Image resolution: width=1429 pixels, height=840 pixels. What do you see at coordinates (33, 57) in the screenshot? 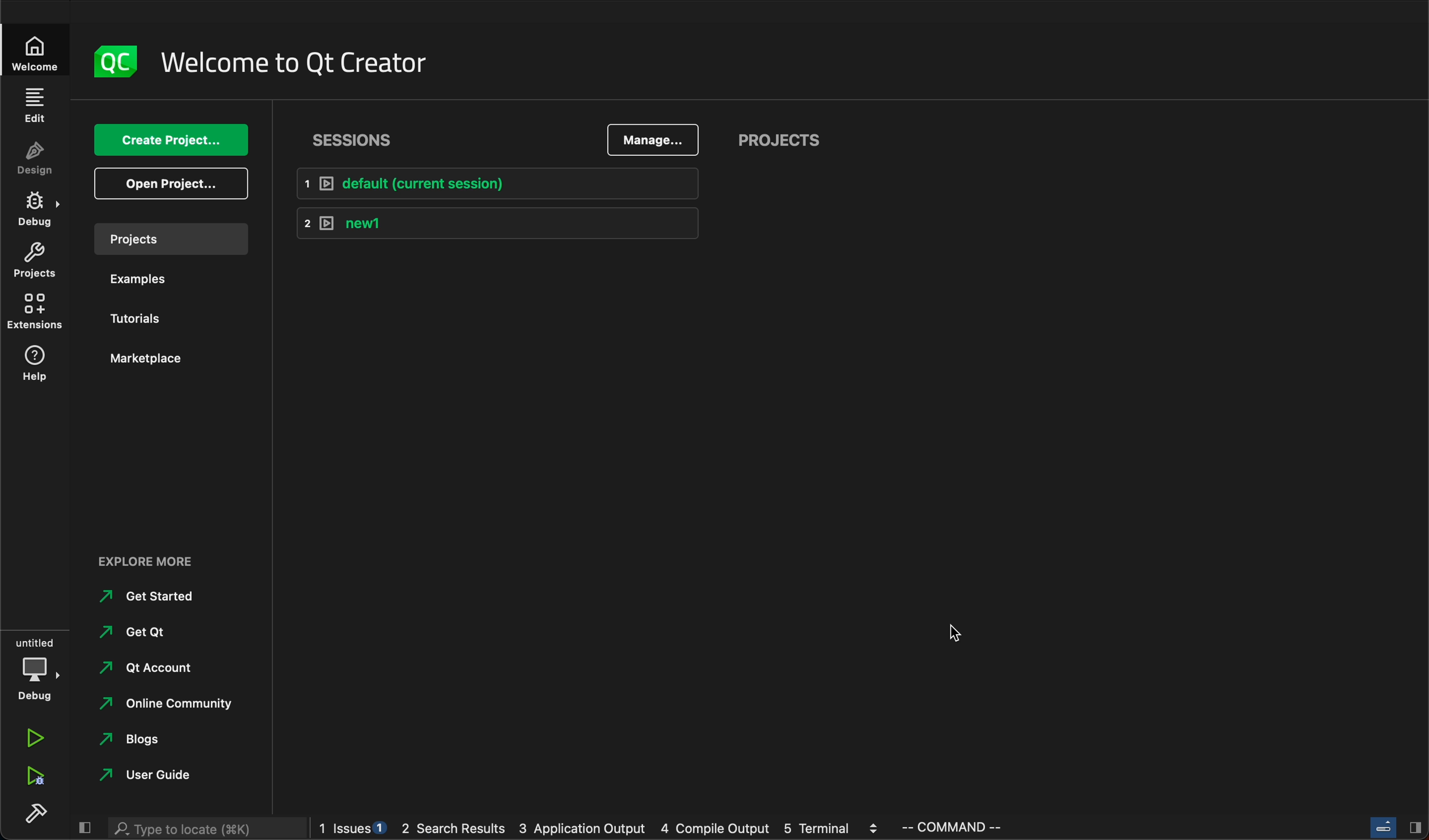
I see `welcome` at bounding box center [33, 57].